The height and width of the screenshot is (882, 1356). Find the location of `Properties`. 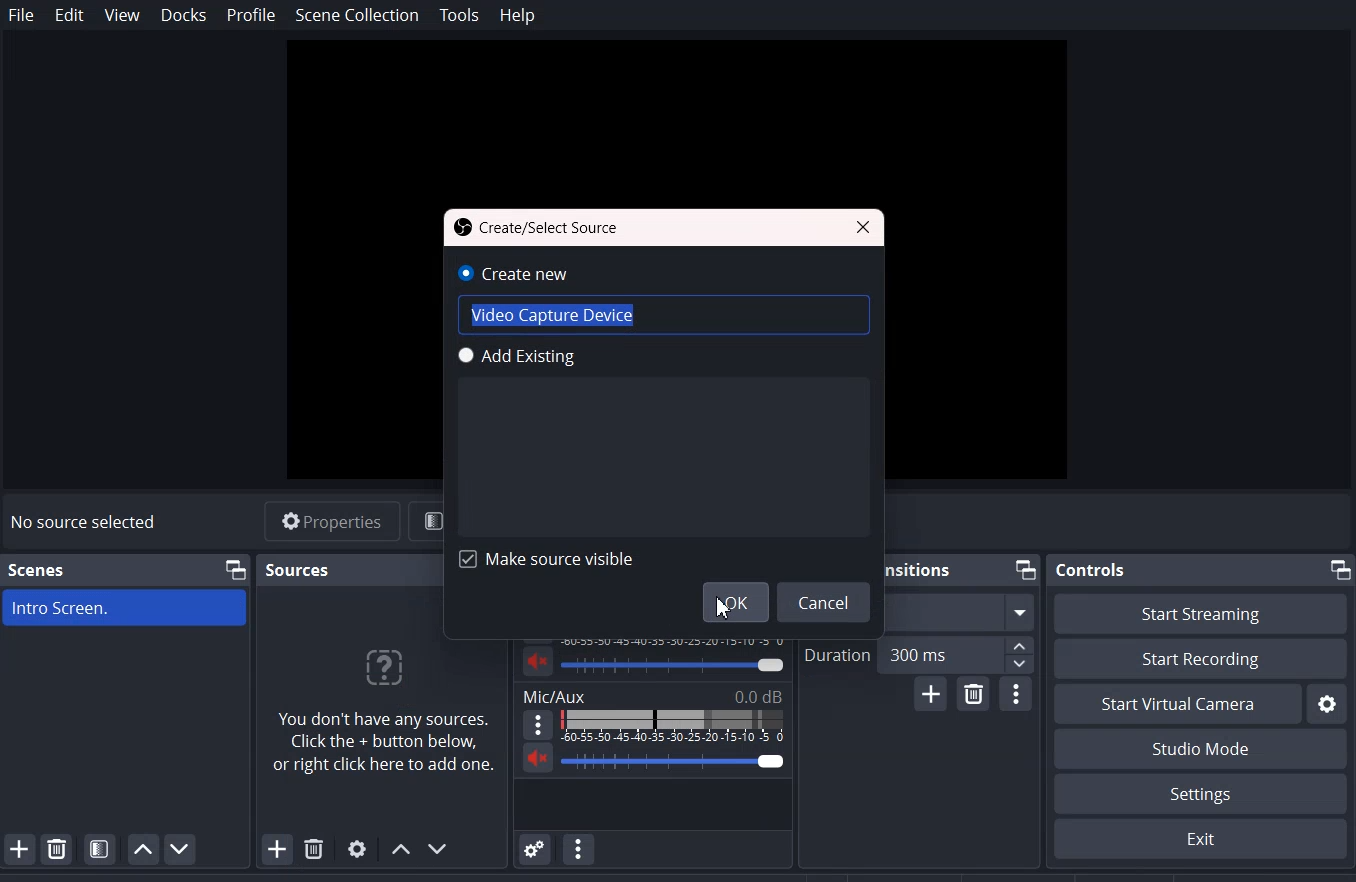

Properties is located at coordinates (331, 520).